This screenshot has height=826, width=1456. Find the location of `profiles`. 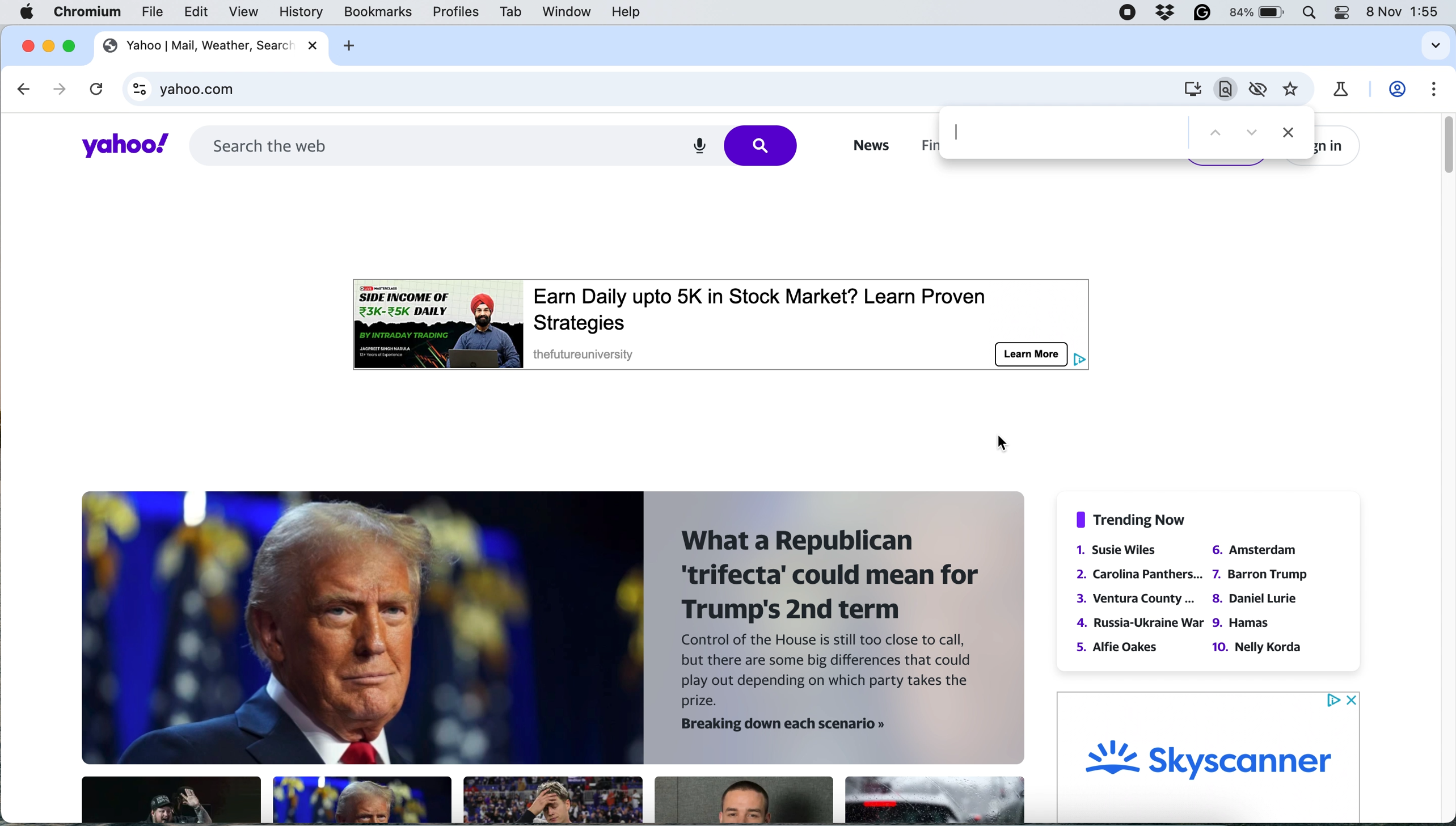

profiles is located at coordinates (459, 12).